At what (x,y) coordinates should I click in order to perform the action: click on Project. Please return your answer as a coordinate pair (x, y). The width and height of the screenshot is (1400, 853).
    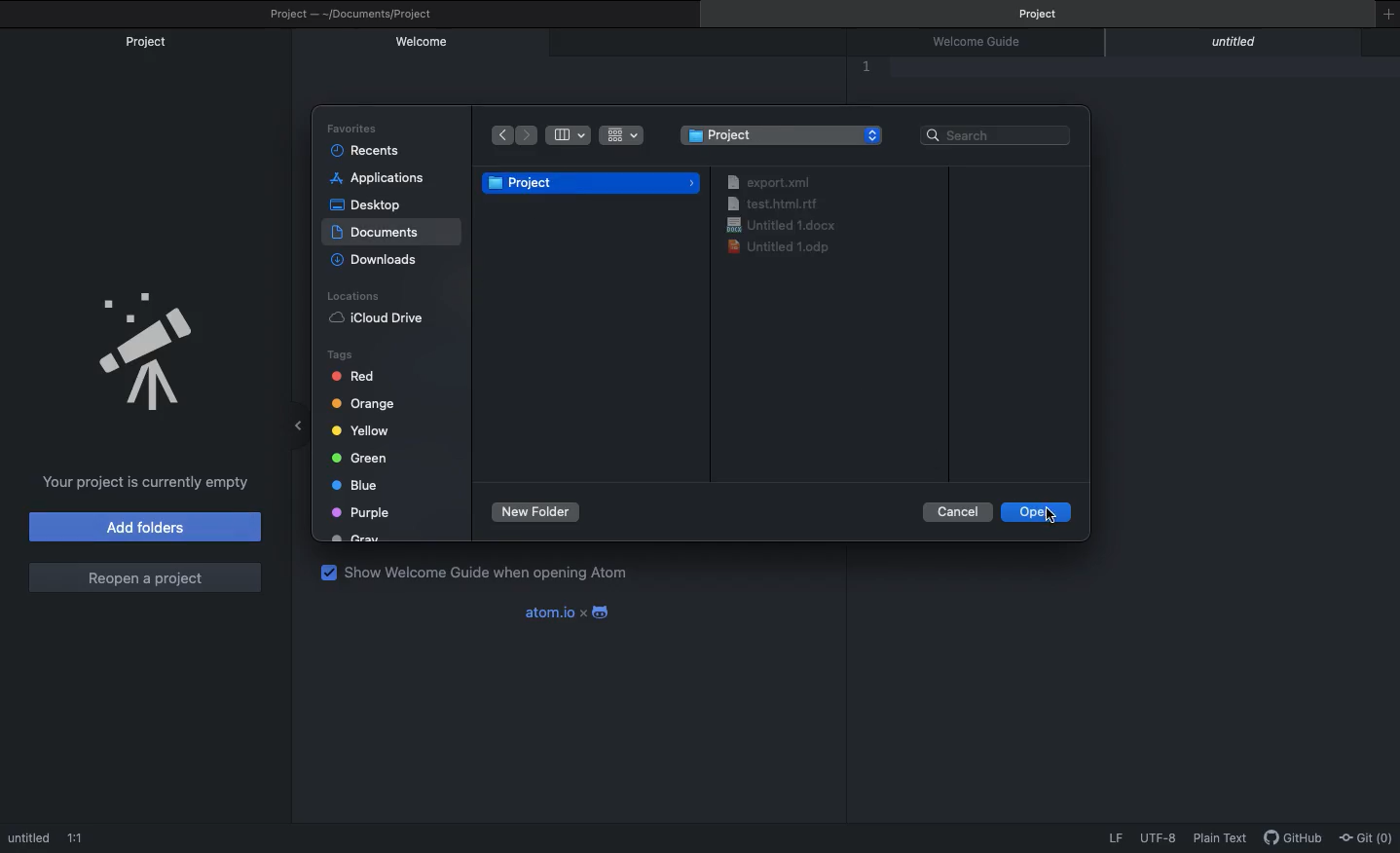
    Looking at the image, I should click on (353, 15).